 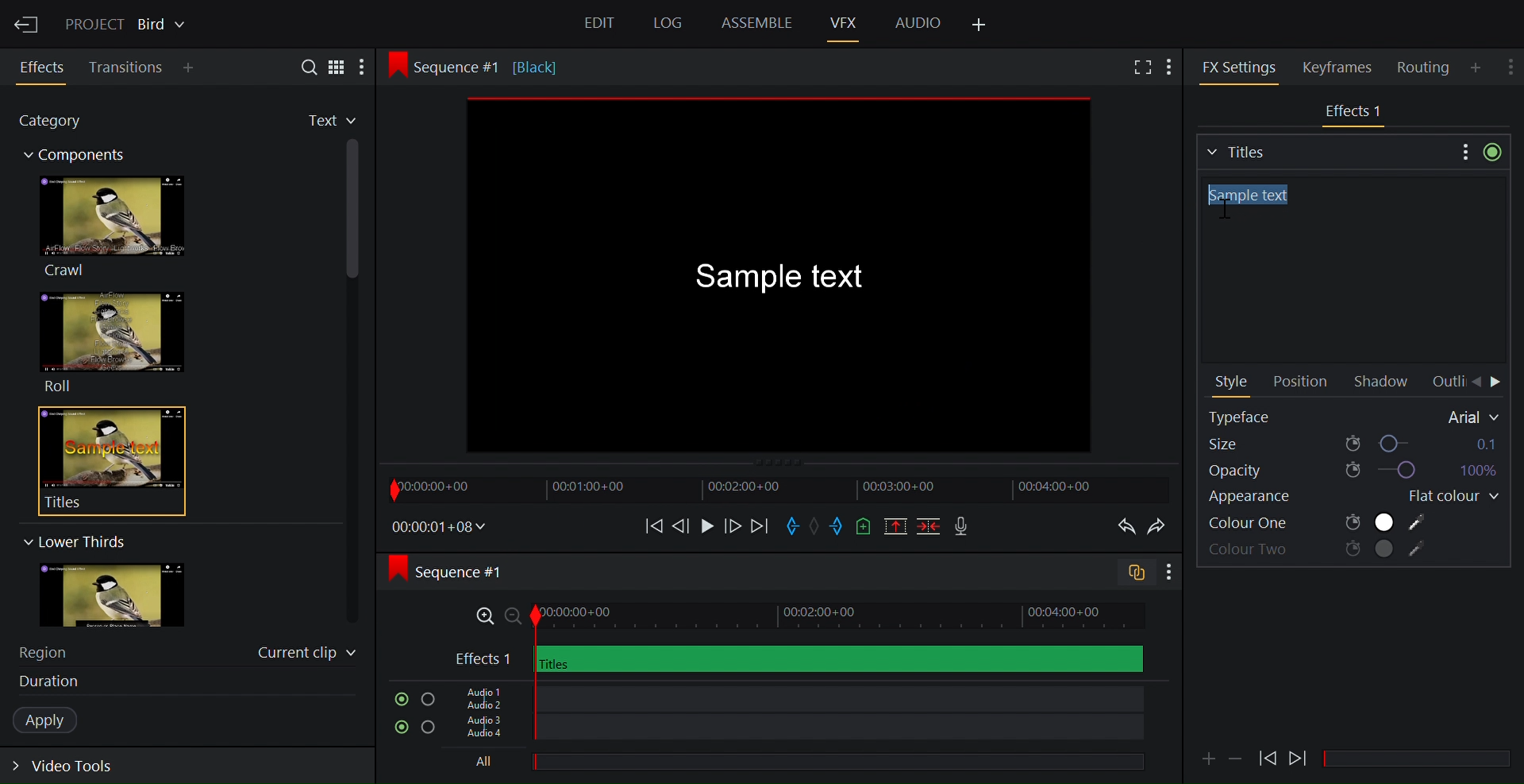 I want to click on Toggle bypass, so click(x=1492, y=152).